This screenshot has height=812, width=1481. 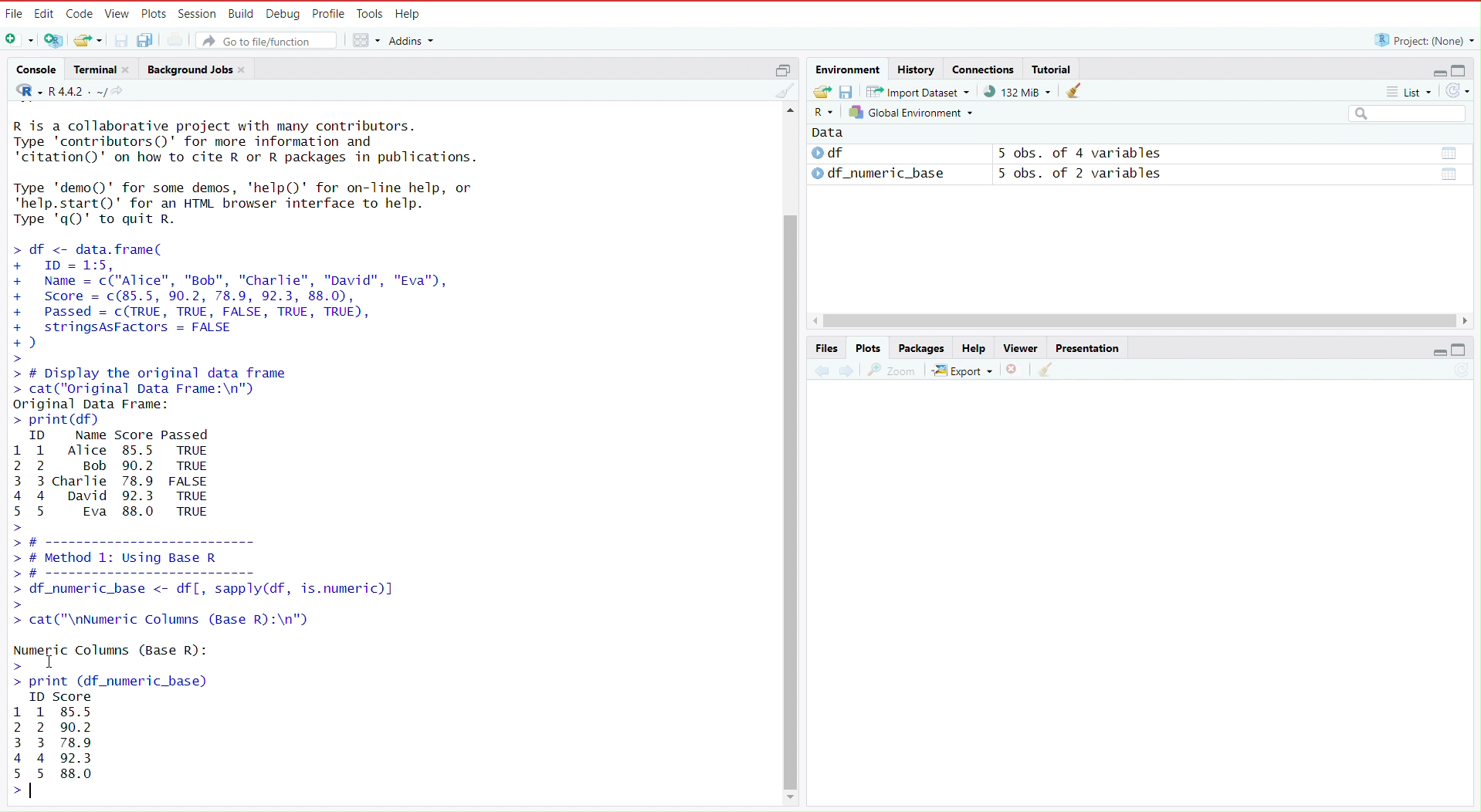 What do you see at coordinates (849, 93) in the screenshot?
I see `save workspace as` at bounding box center [849, 93].